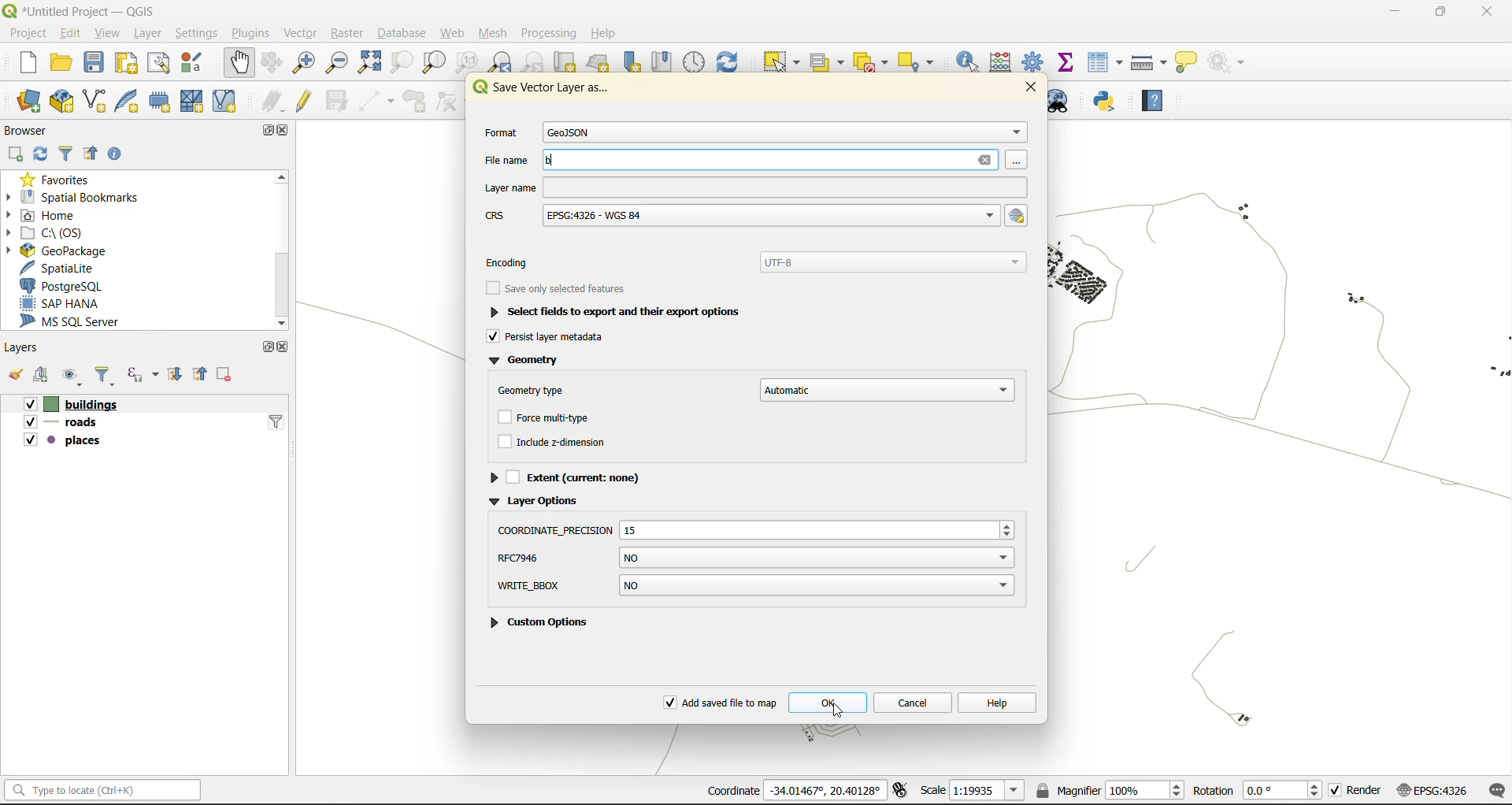 This screenshot has width=1512, height=805. What do you see at coordinates (351, 33) in the screenshot?
I see `raster` at bounding box center [351, 33].